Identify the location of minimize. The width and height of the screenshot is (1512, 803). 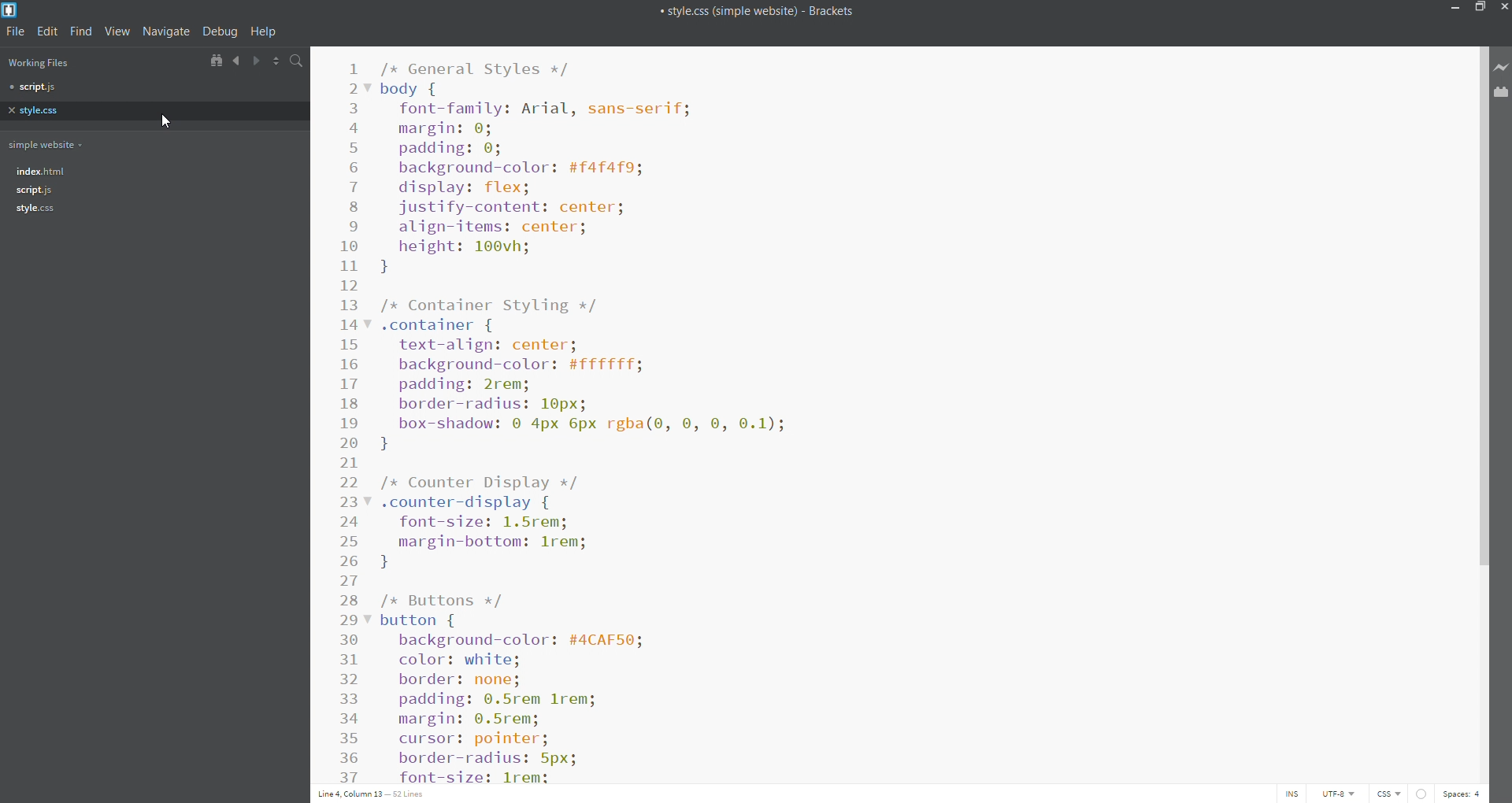
(1451, 9).